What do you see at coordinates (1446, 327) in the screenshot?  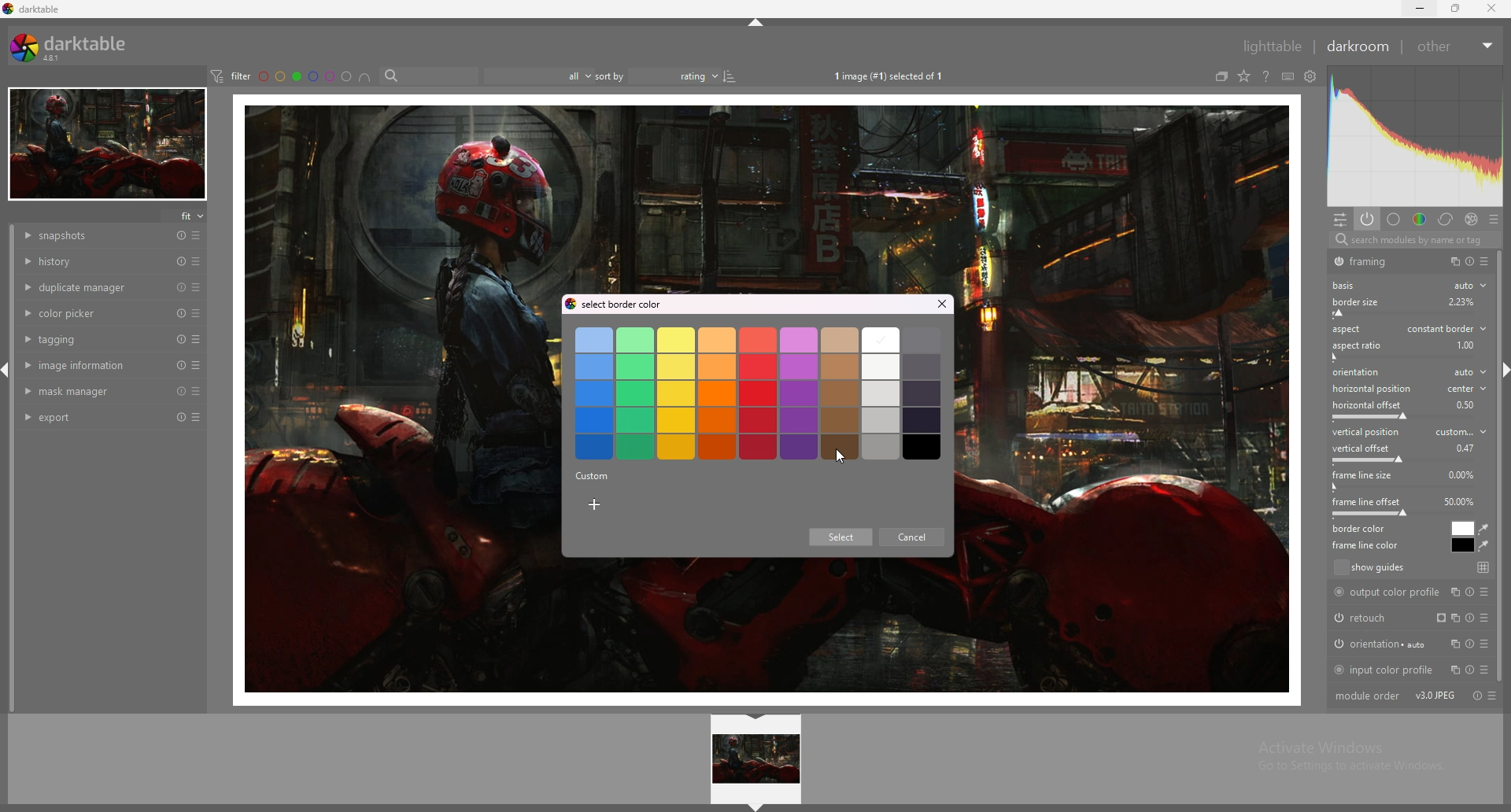 I see `aspect type` at bounding box center [1446, 327].